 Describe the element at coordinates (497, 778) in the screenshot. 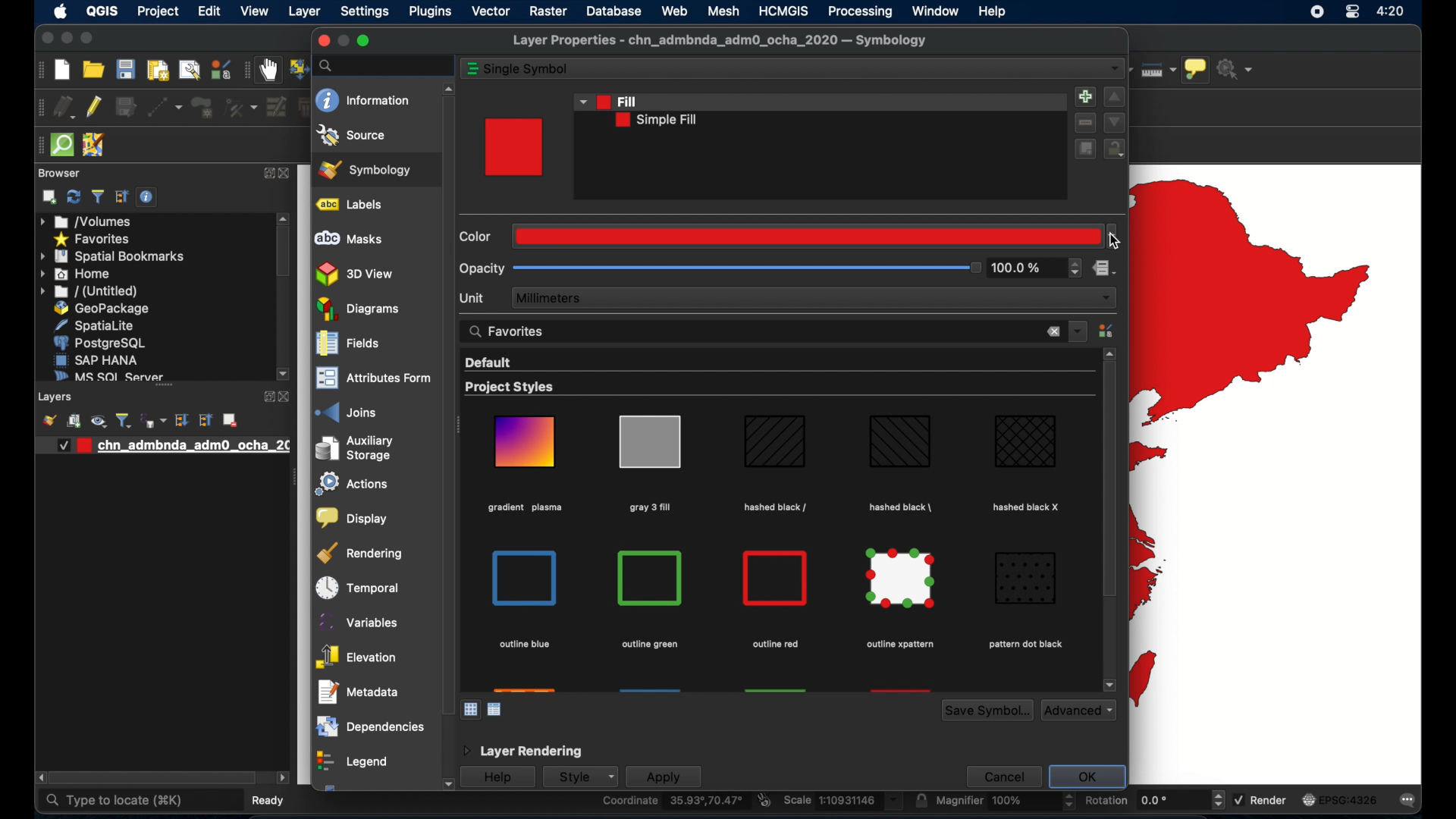

I see `help` at that location.